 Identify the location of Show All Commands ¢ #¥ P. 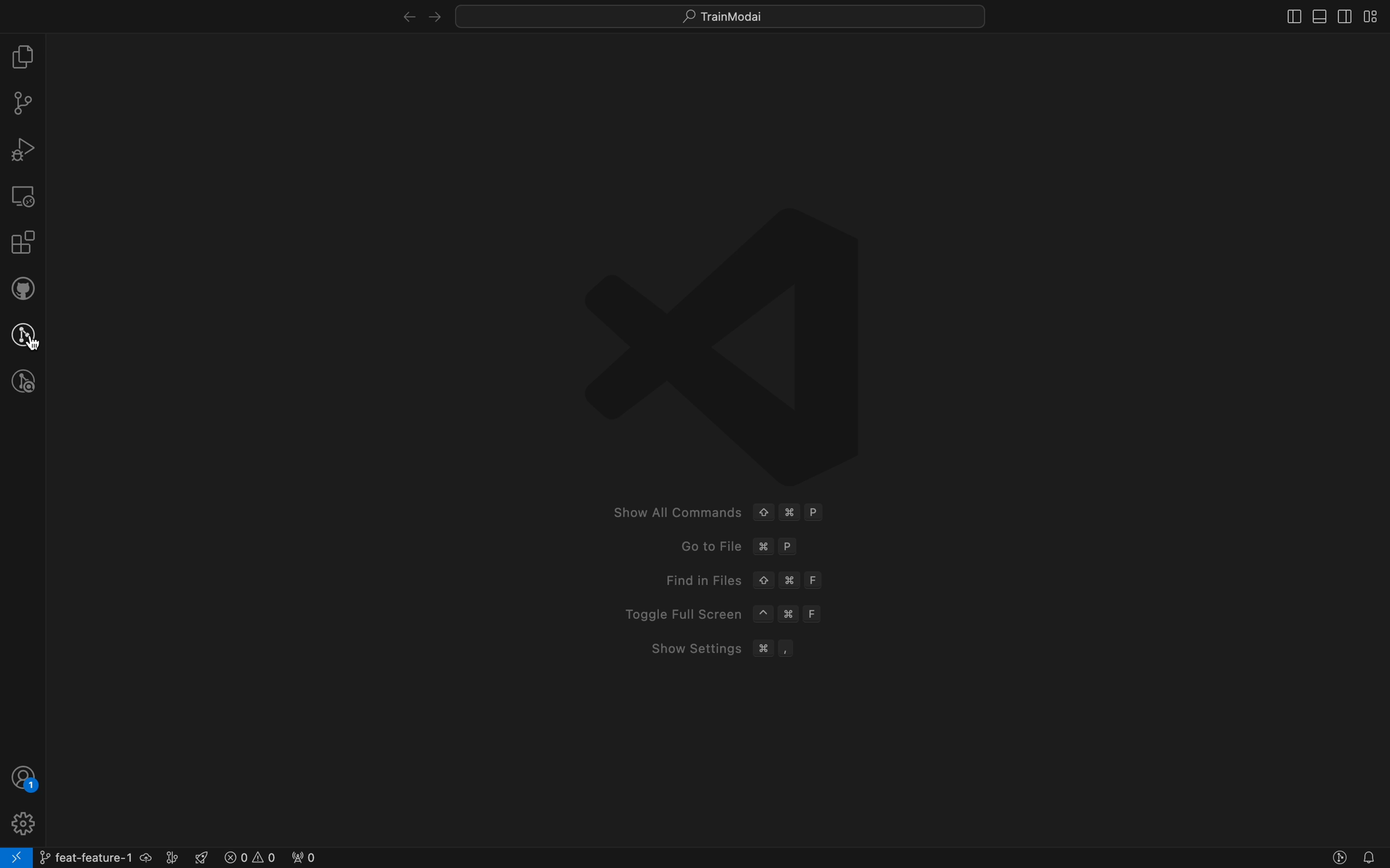
(723, 510).